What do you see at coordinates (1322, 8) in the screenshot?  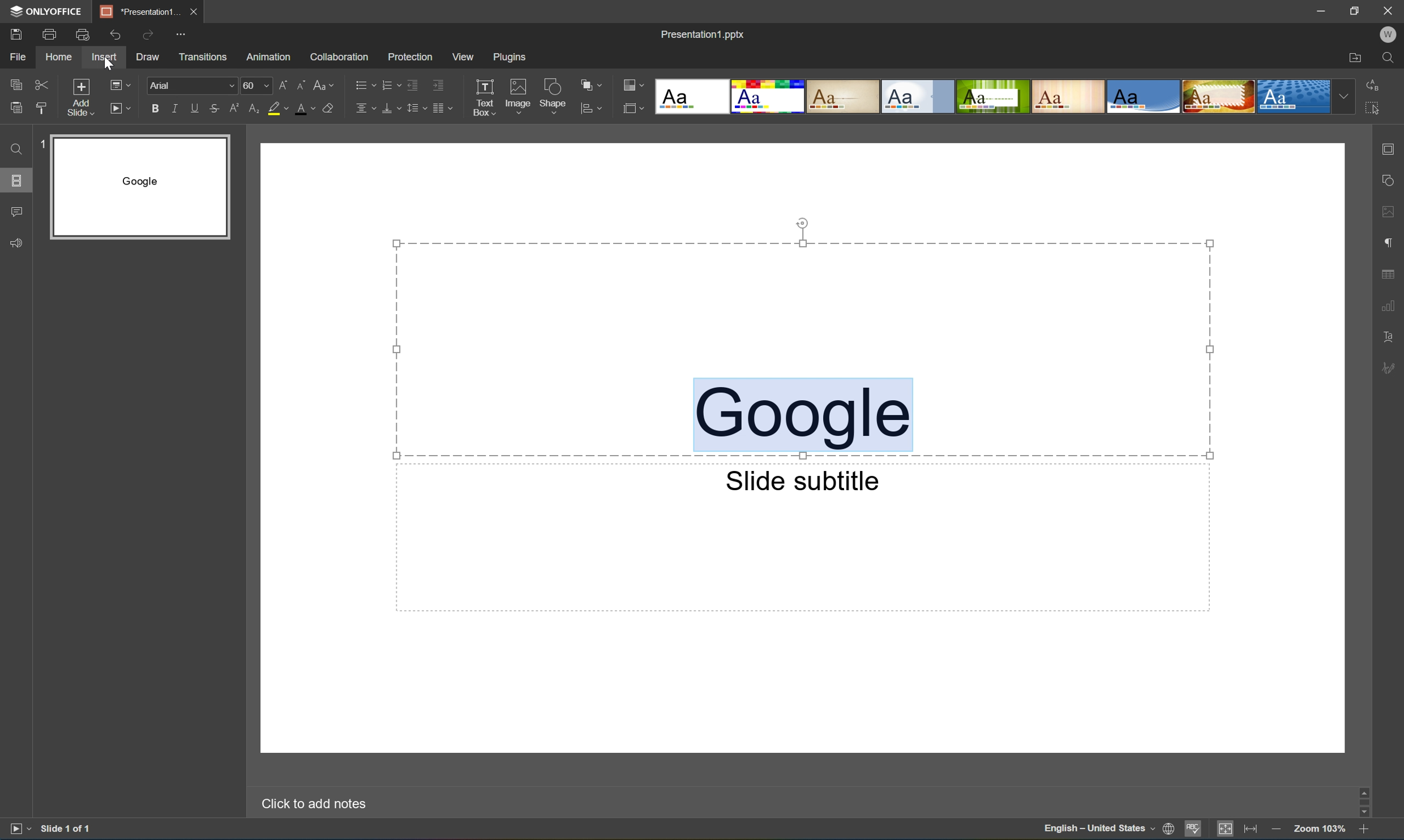 I see `Minimize` at bounding box center [1322, 8].